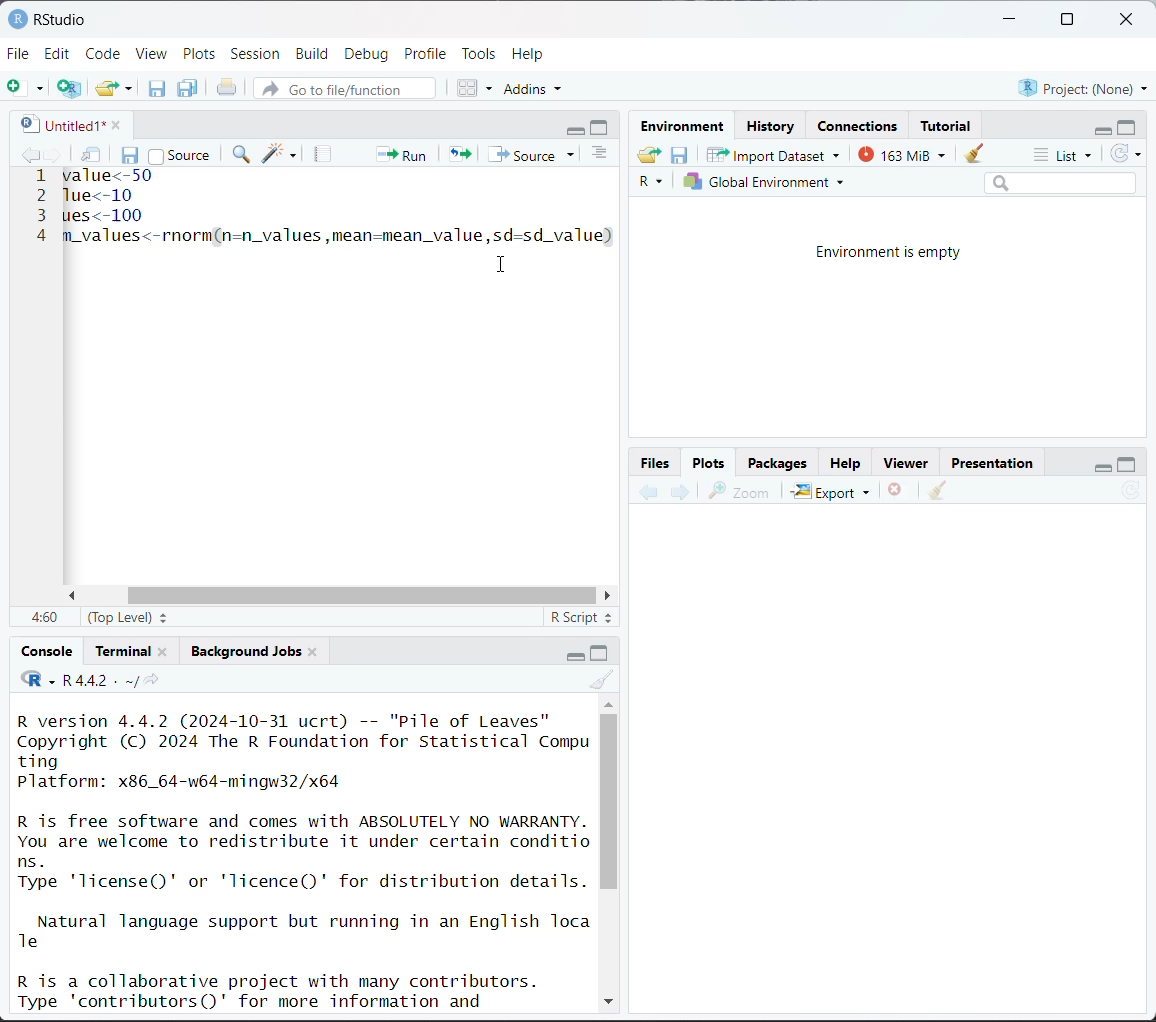 This screenshot has height=1022, width=1156. Describe the element at coordinates (179, 154) in the screenshot. I see `source` at that location.